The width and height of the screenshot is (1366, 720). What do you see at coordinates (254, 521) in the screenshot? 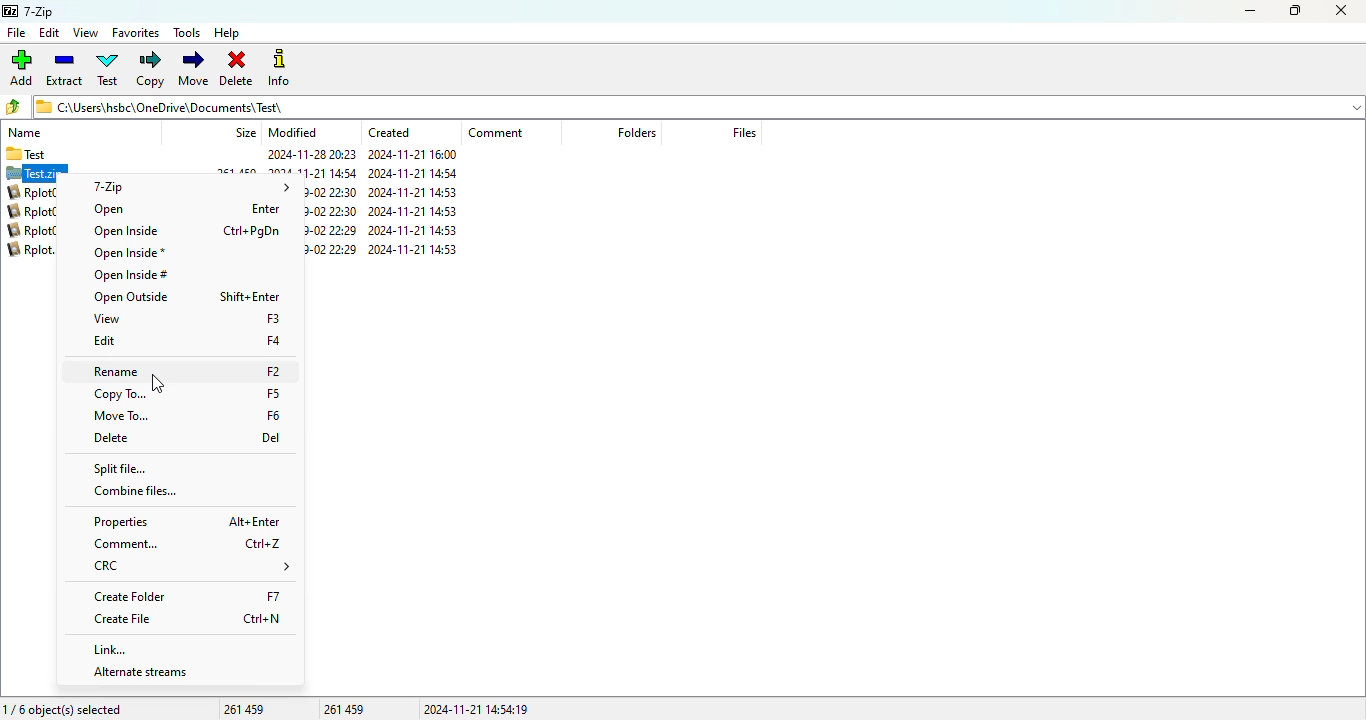
I see `Alt+Enter` at bounding box center [254, 521].